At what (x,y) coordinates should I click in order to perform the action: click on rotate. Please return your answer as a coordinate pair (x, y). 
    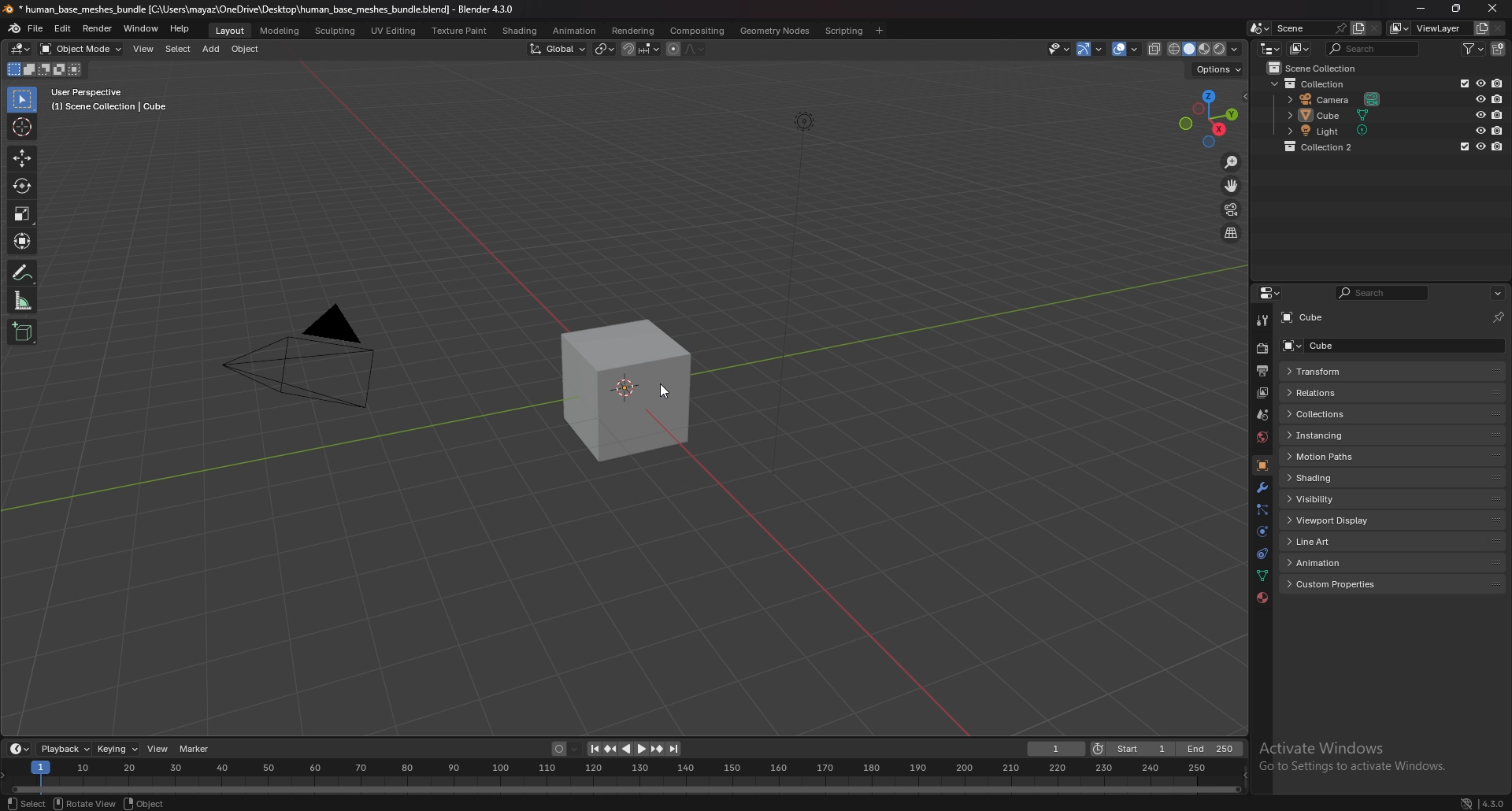
    Looking at the image, I should click on (23, 185).